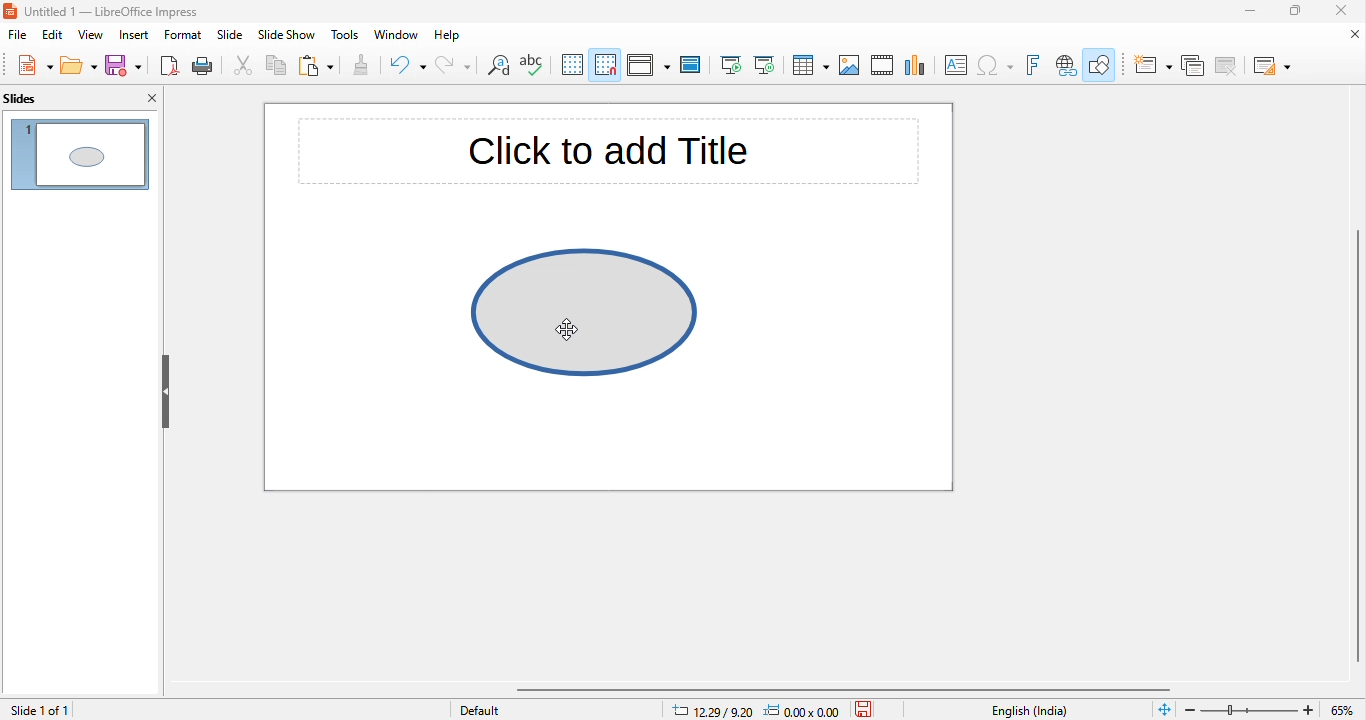  Describe the element at coordinates (1239, 14) in the screenshot. I see `minimize` at that location.